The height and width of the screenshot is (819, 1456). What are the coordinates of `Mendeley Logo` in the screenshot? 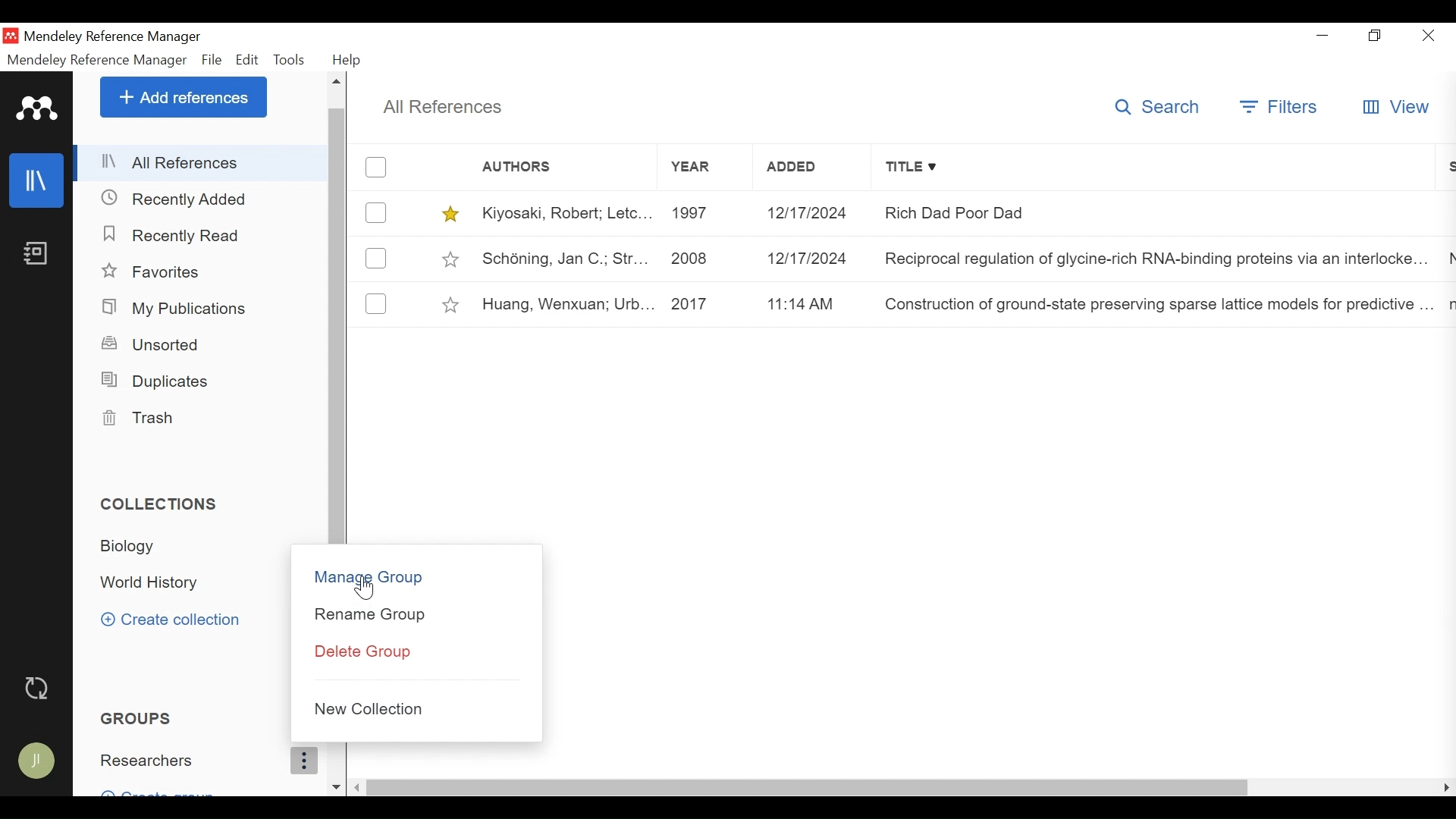 It's located at (37, 108).